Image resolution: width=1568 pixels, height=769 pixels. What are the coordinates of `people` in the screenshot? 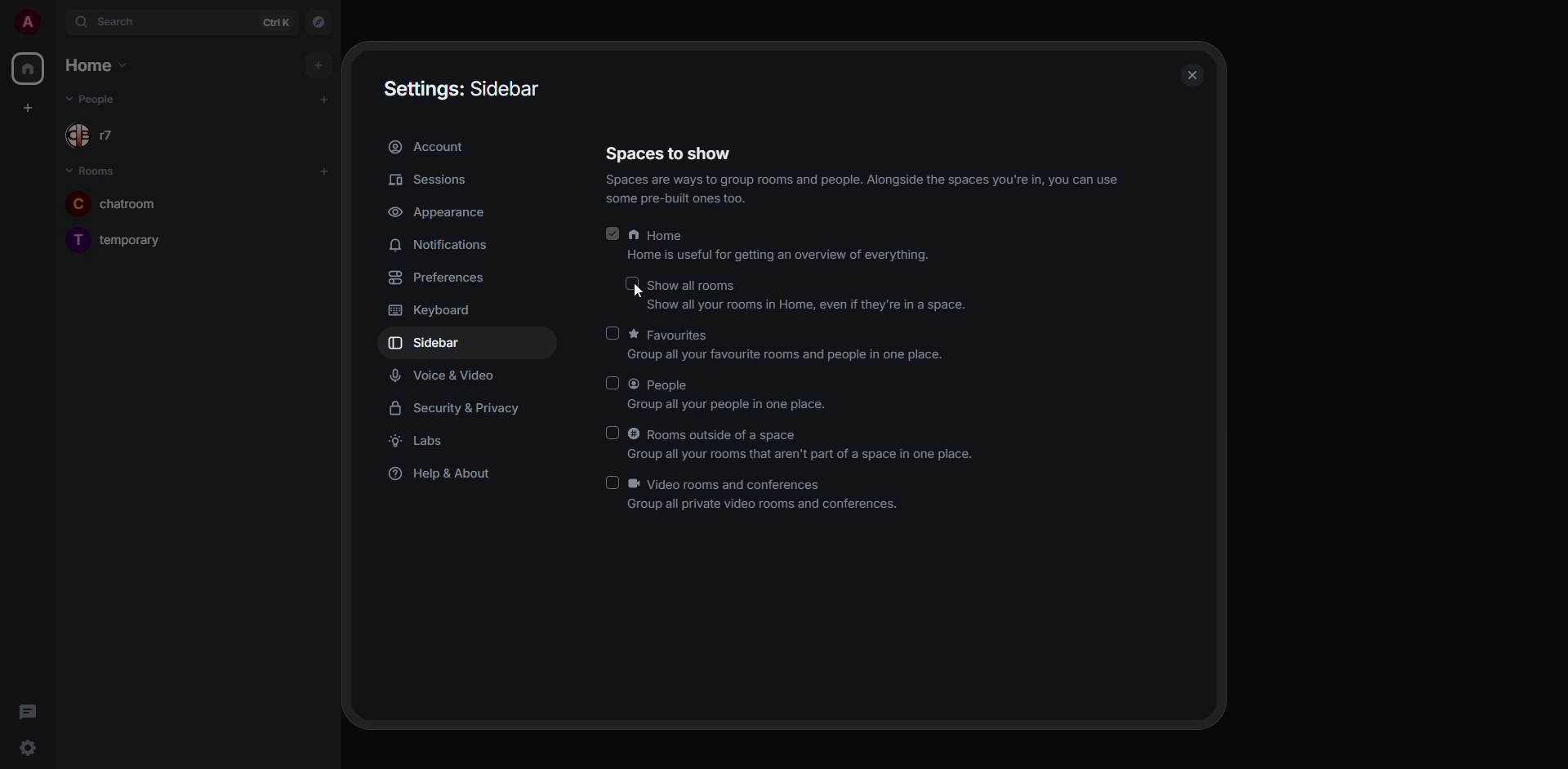 It's located at (95, 98).